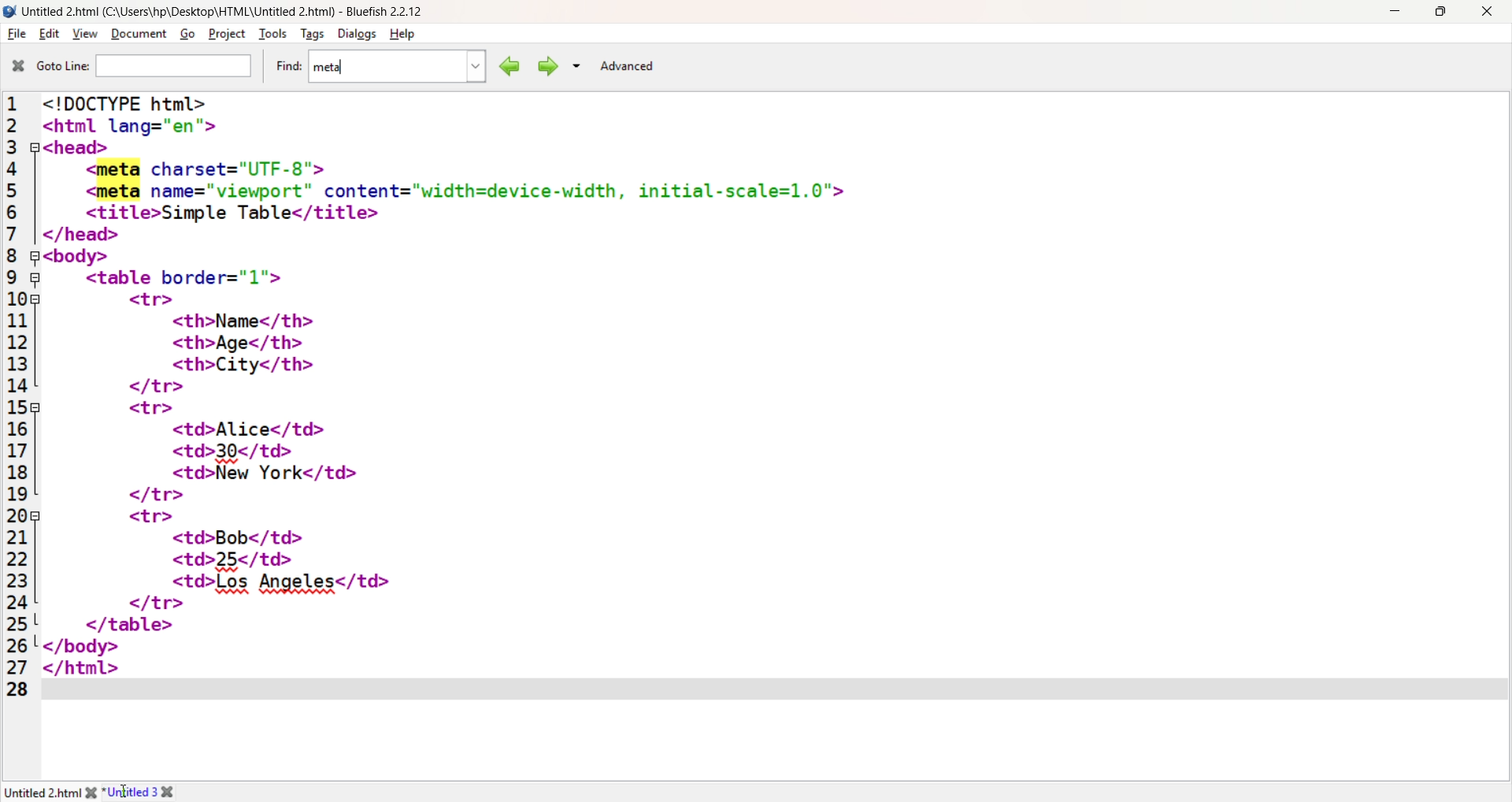  I want to click on Untitled 2.htm, so click(40, 793).